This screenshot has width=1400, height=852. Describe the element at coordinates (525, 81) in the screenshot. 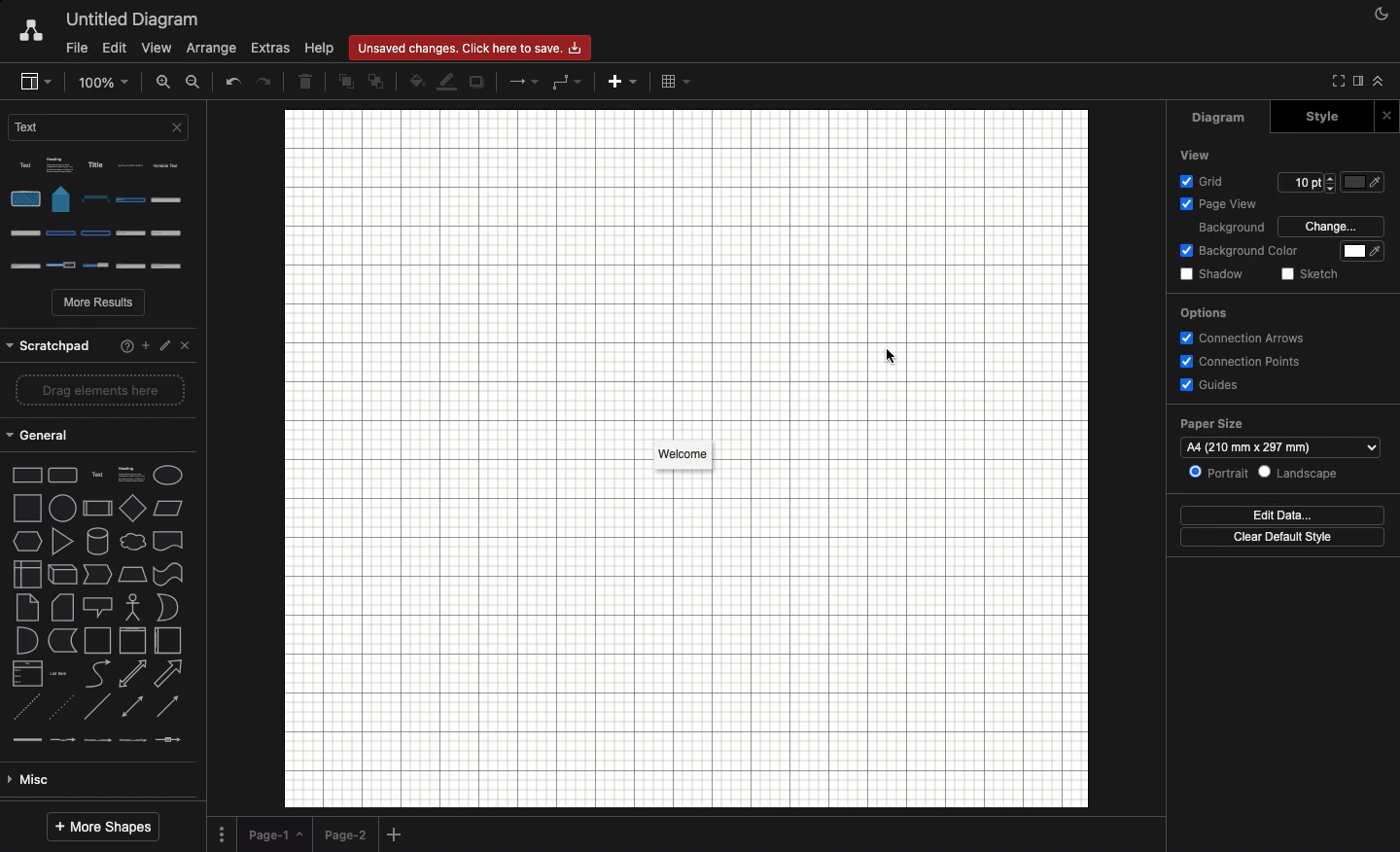

I see `Arrow` at that location.